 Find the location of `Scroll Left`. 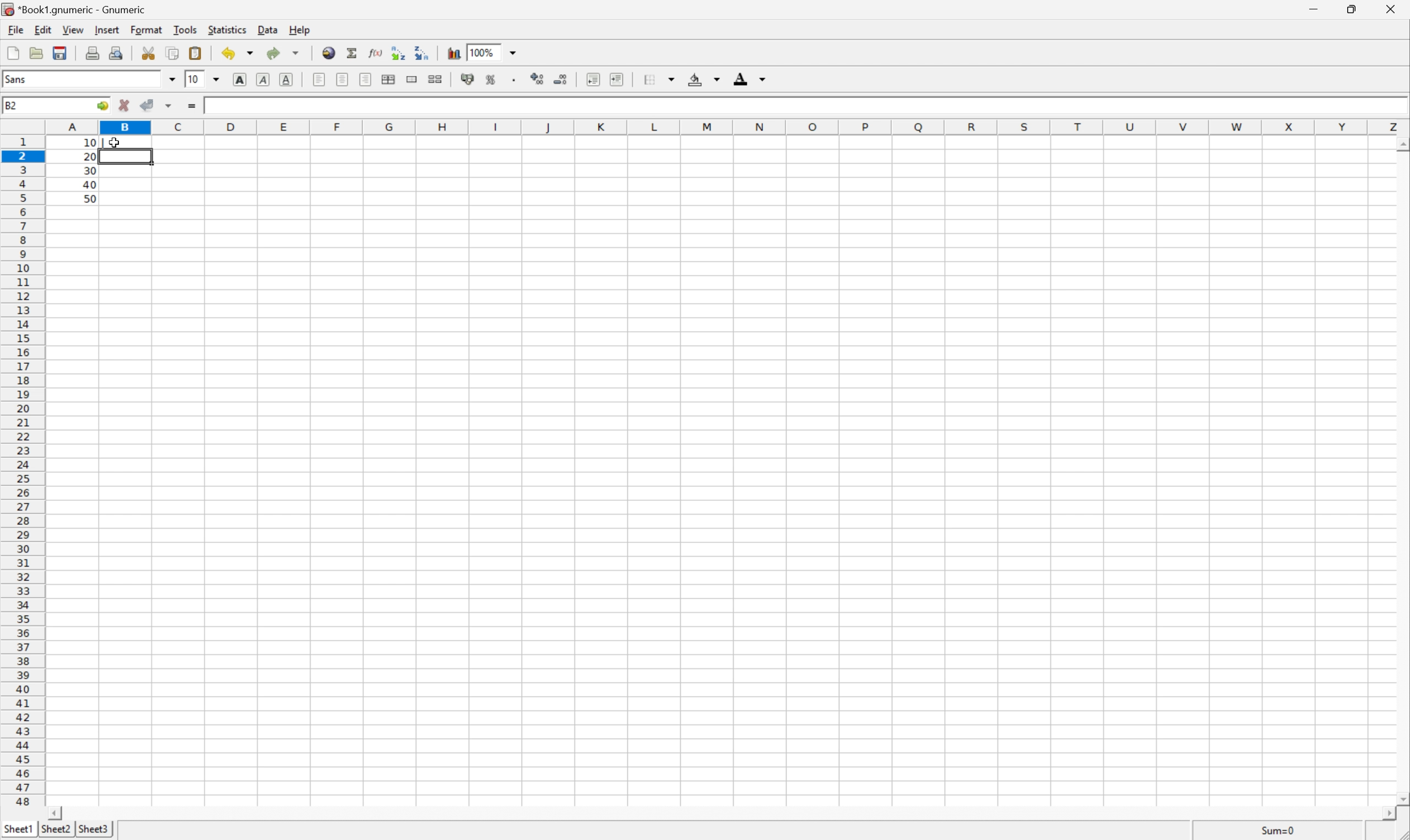

Scroll Left is located at coordinates (55, 813).